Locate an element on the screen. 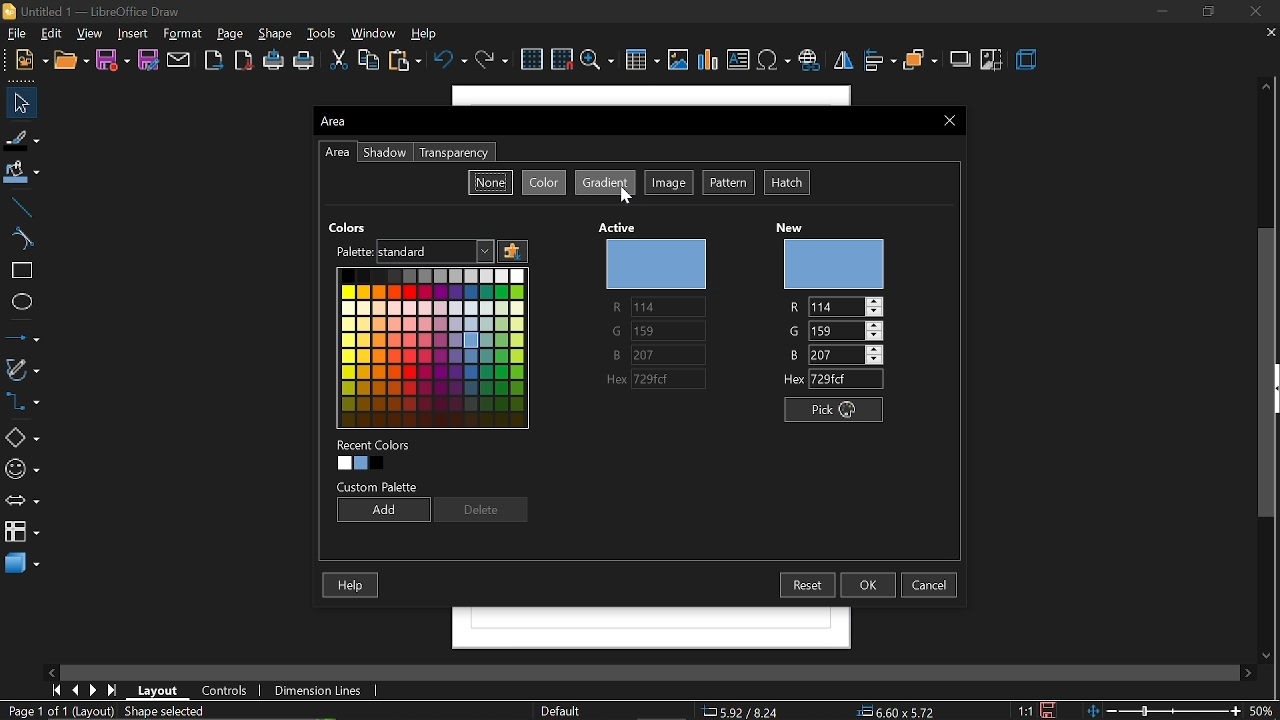 The height and width of the screenshot is (720, 1280). undo is located at coordinates (450, 62).